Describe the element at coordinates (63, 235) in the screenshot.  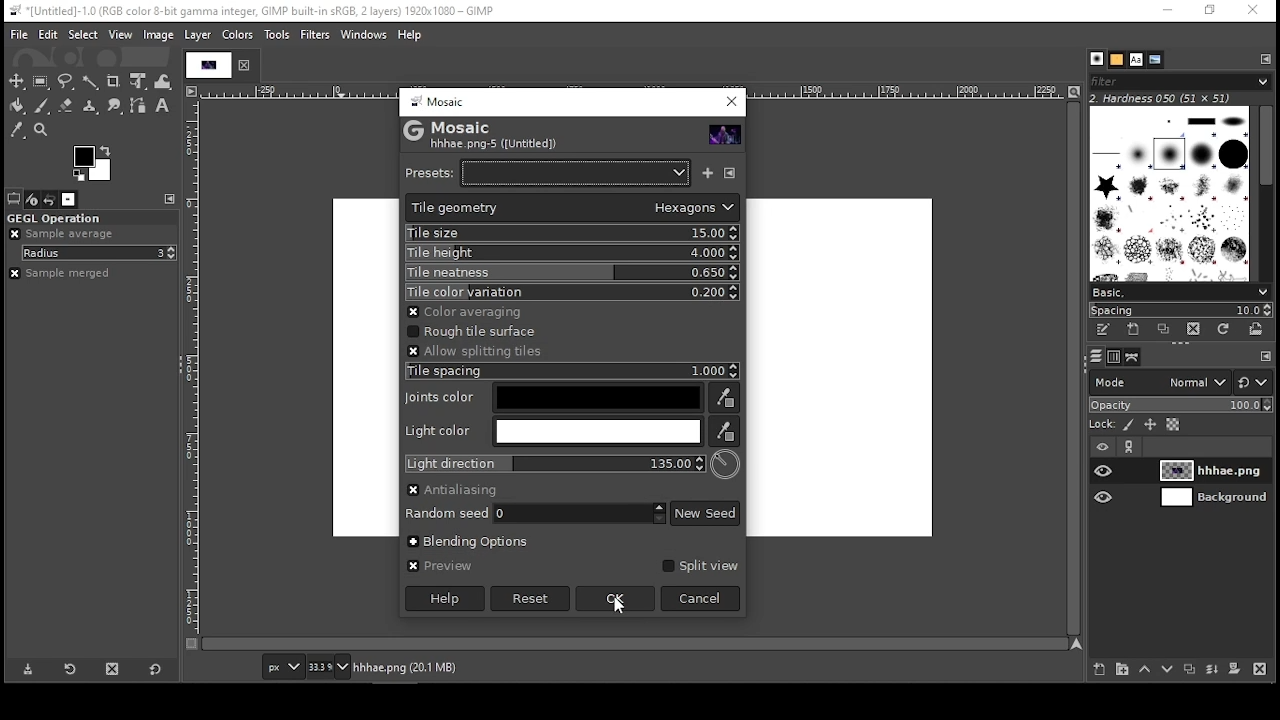
I see `sample average` at that location.